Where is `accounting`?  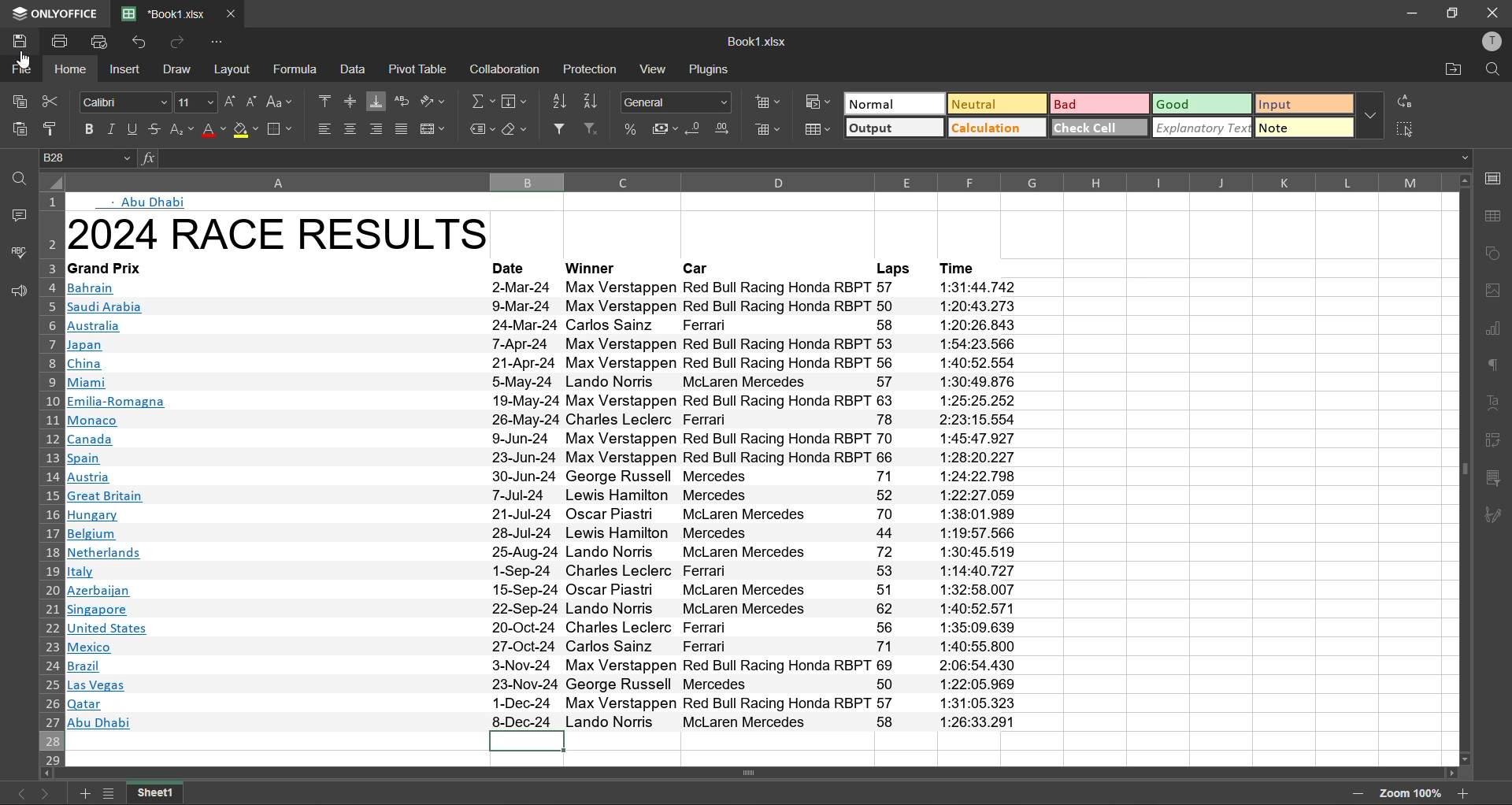
accounting is located at coordinates (665, 129).